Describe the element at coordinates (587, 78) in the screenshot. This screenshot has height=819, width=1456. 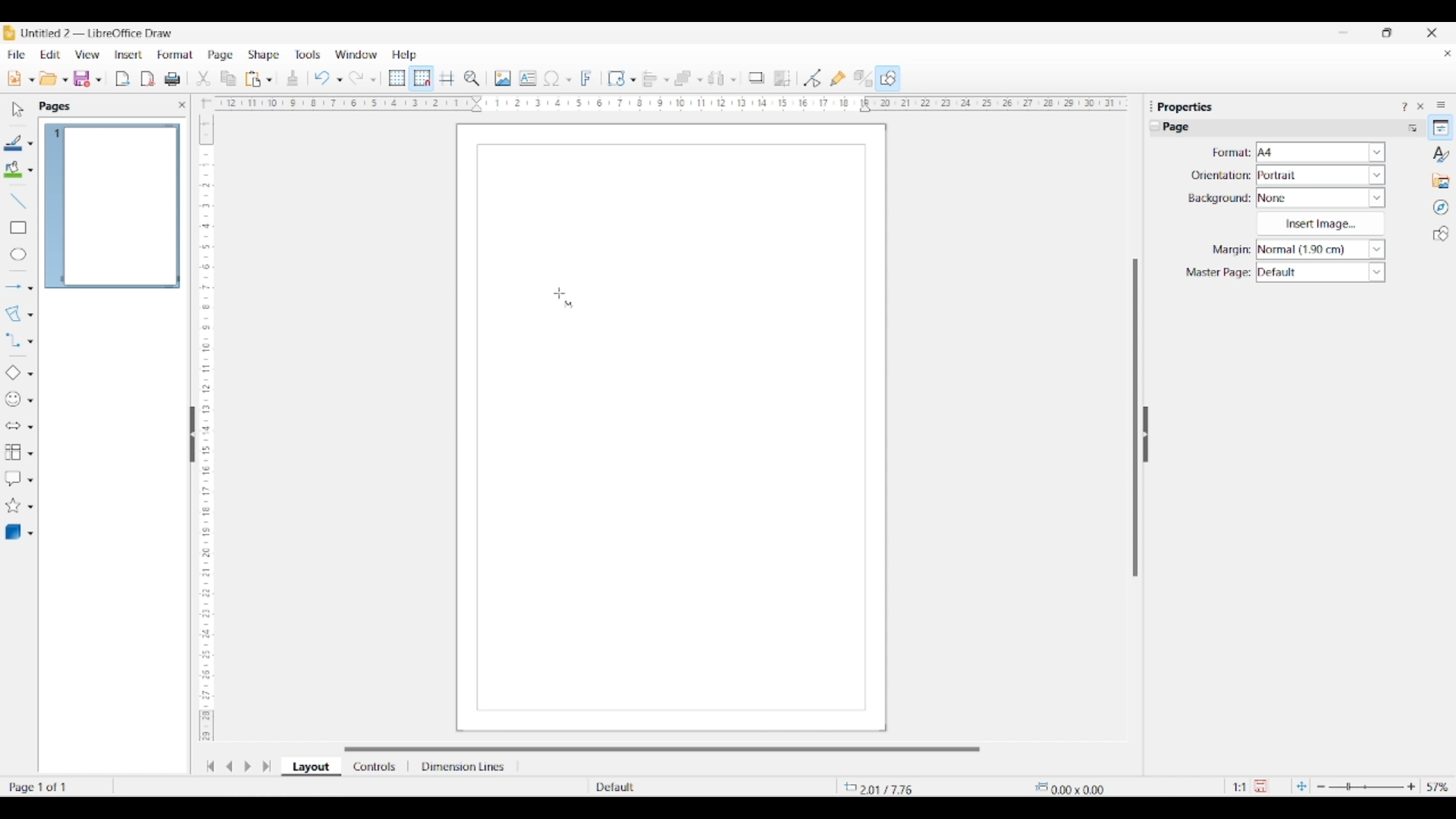
I see `Insert fontwork text` at that location.